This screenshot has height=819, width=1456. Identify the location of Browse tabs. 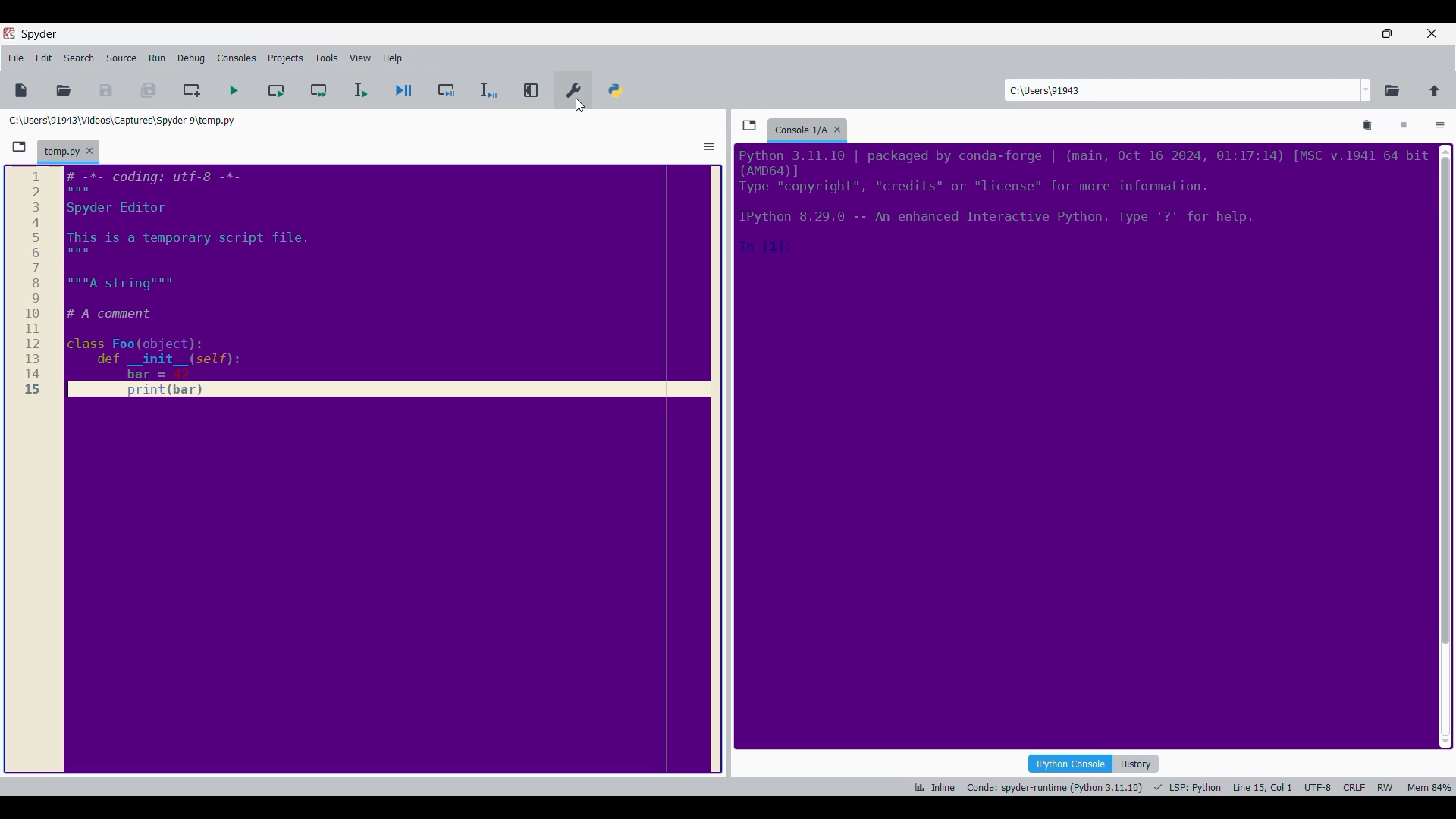
(19, 146).